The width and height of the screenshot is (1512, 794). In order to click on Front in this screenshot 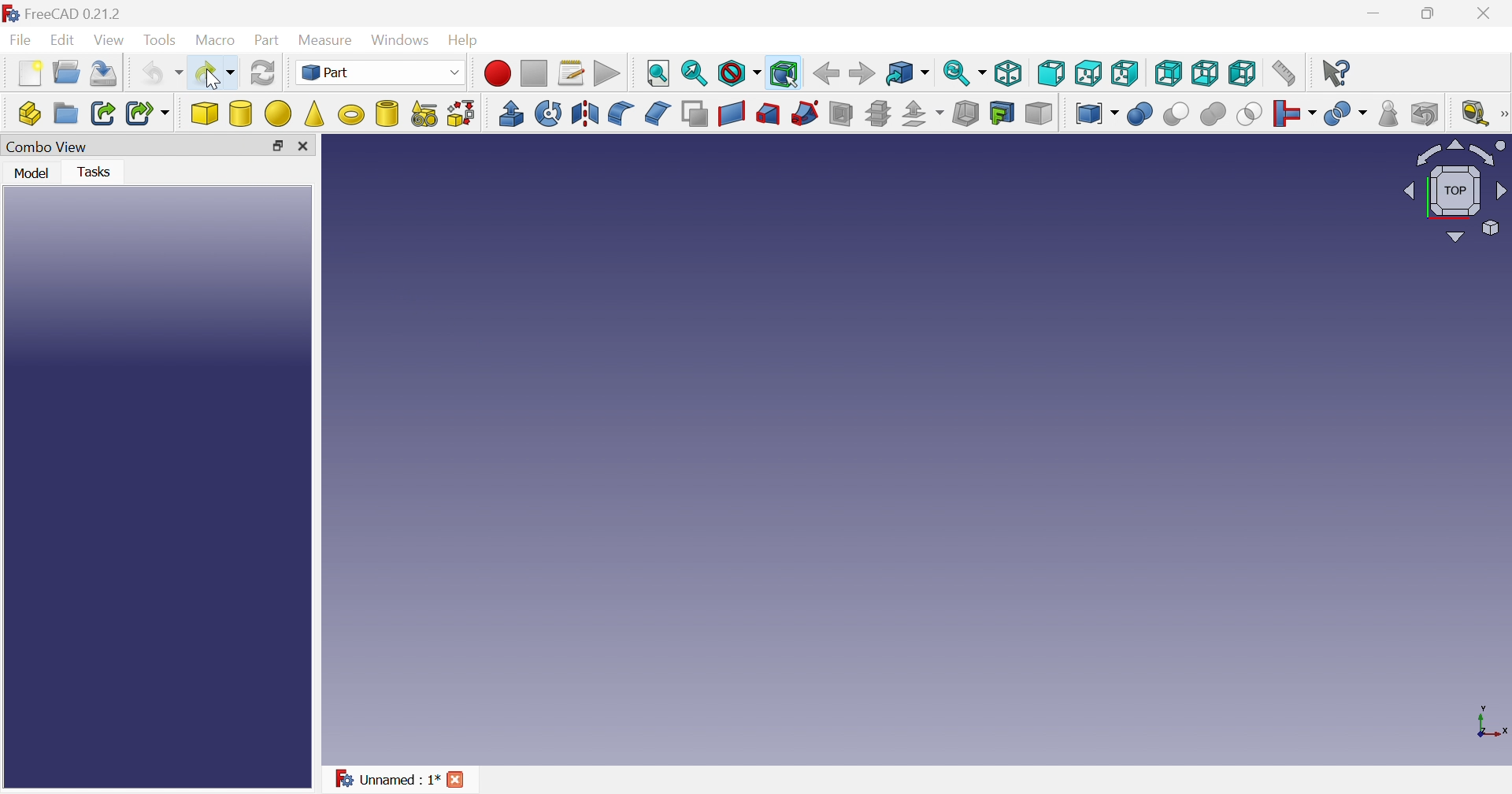, I will do `click(1051, 73)`.